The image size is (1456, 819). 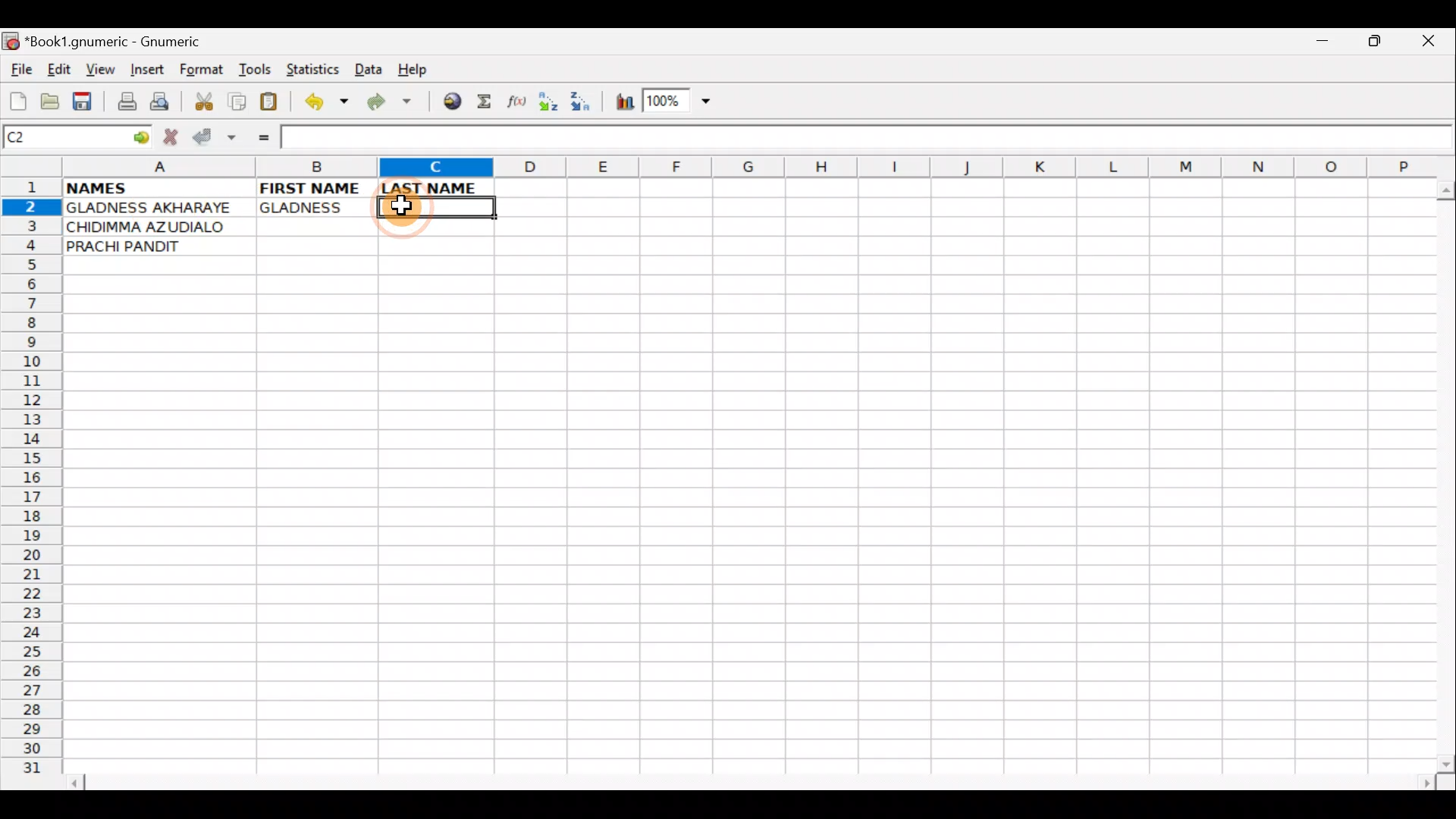 What do you see at coordinates (158, 209) in the screenshot?
I see `GLADNESS AKHARAYE` at bounding box center [158, 209].